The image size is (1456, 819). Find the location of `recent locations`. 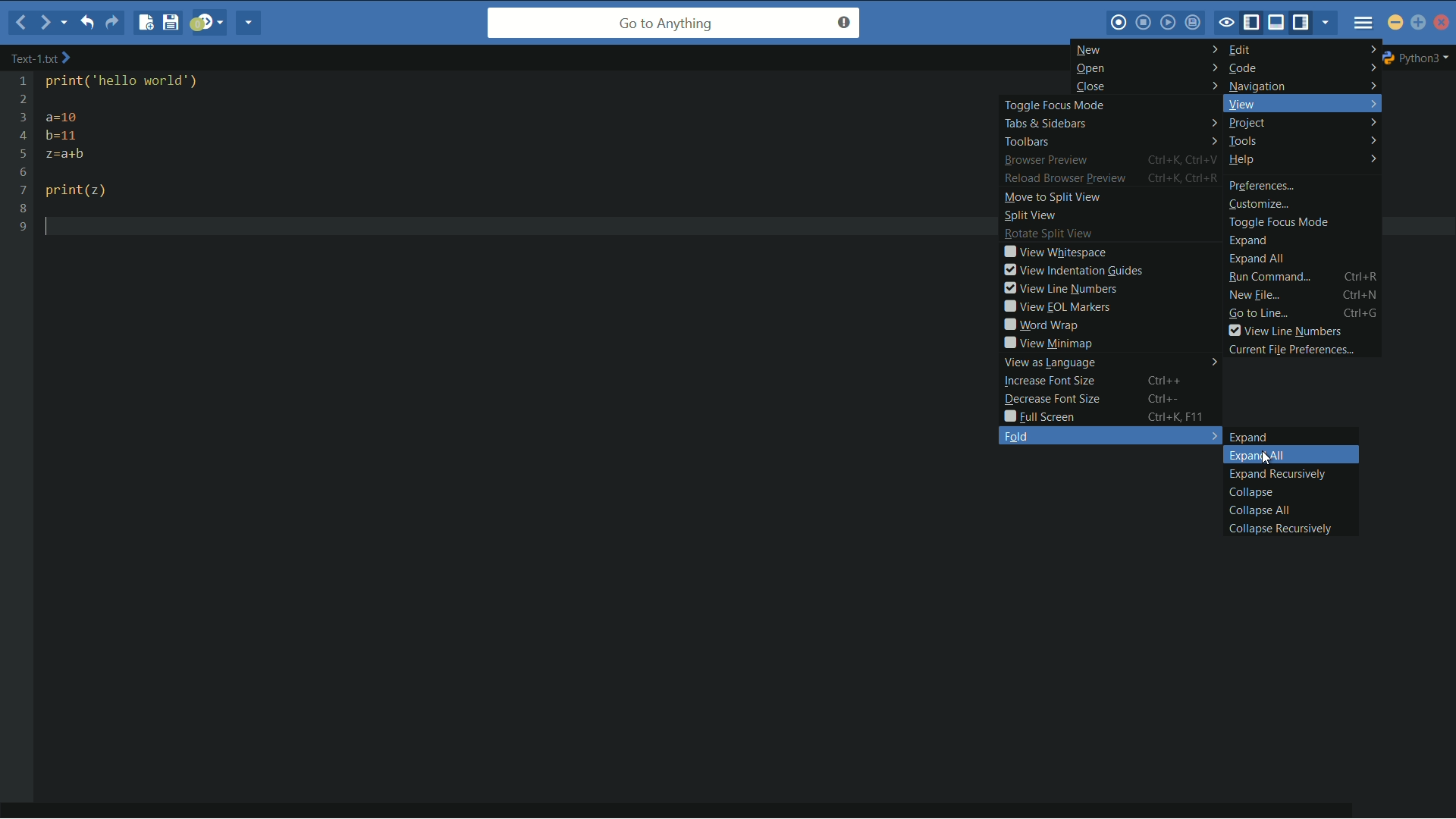

recent locations is located at coordinates (66, 24).